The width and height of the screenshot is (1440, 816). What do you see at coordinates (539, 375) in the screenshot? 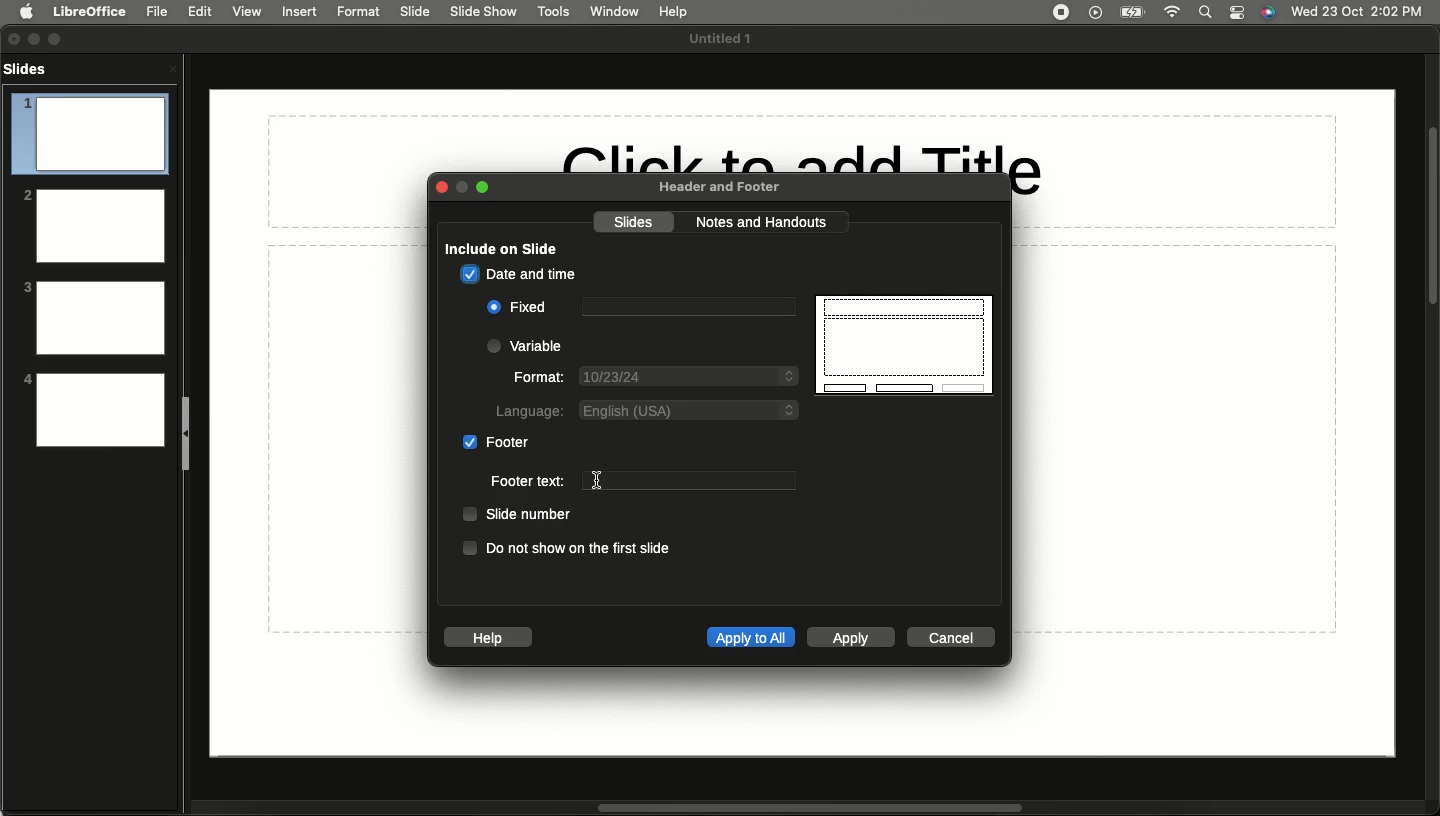
I see `Format` at bounding box center [539, 375].